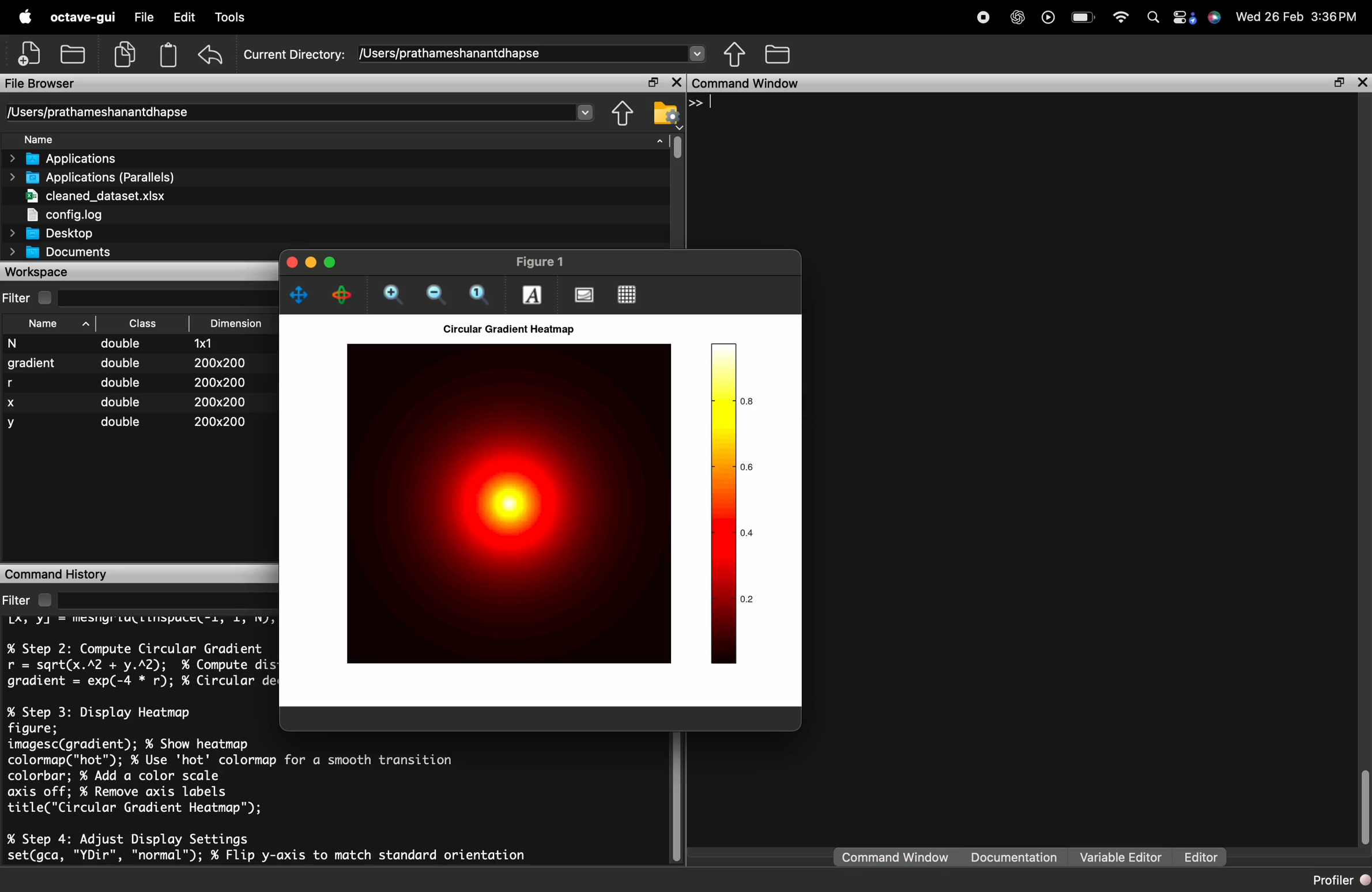  What do you see at coordinates (164, 599) in the screenshot?
I see `search here` at bounding box center [164, 599].